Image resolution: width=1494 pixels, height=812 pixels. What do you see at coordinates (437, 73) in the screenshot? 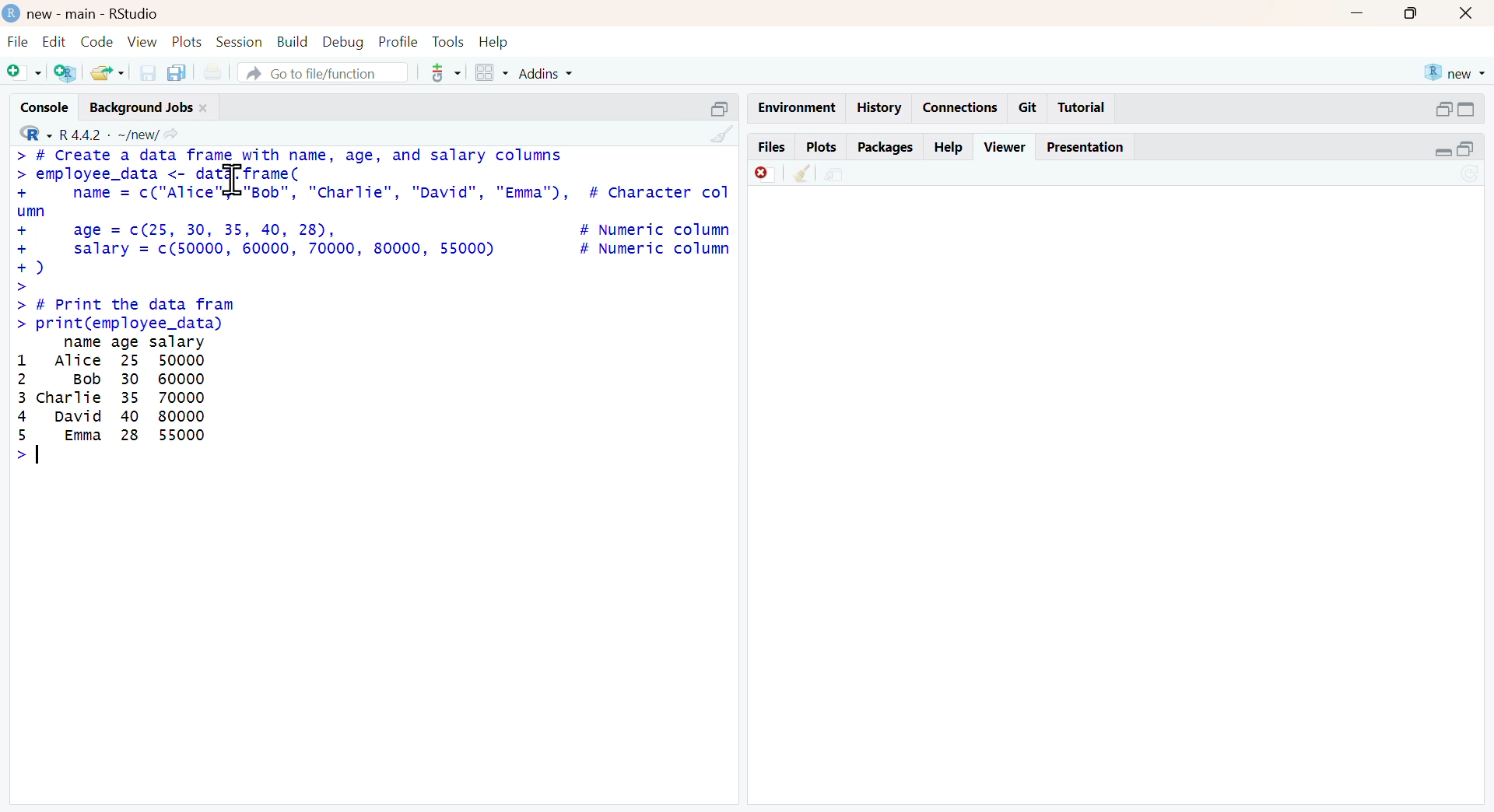
I see `version control` at bounding box center [437, 73].